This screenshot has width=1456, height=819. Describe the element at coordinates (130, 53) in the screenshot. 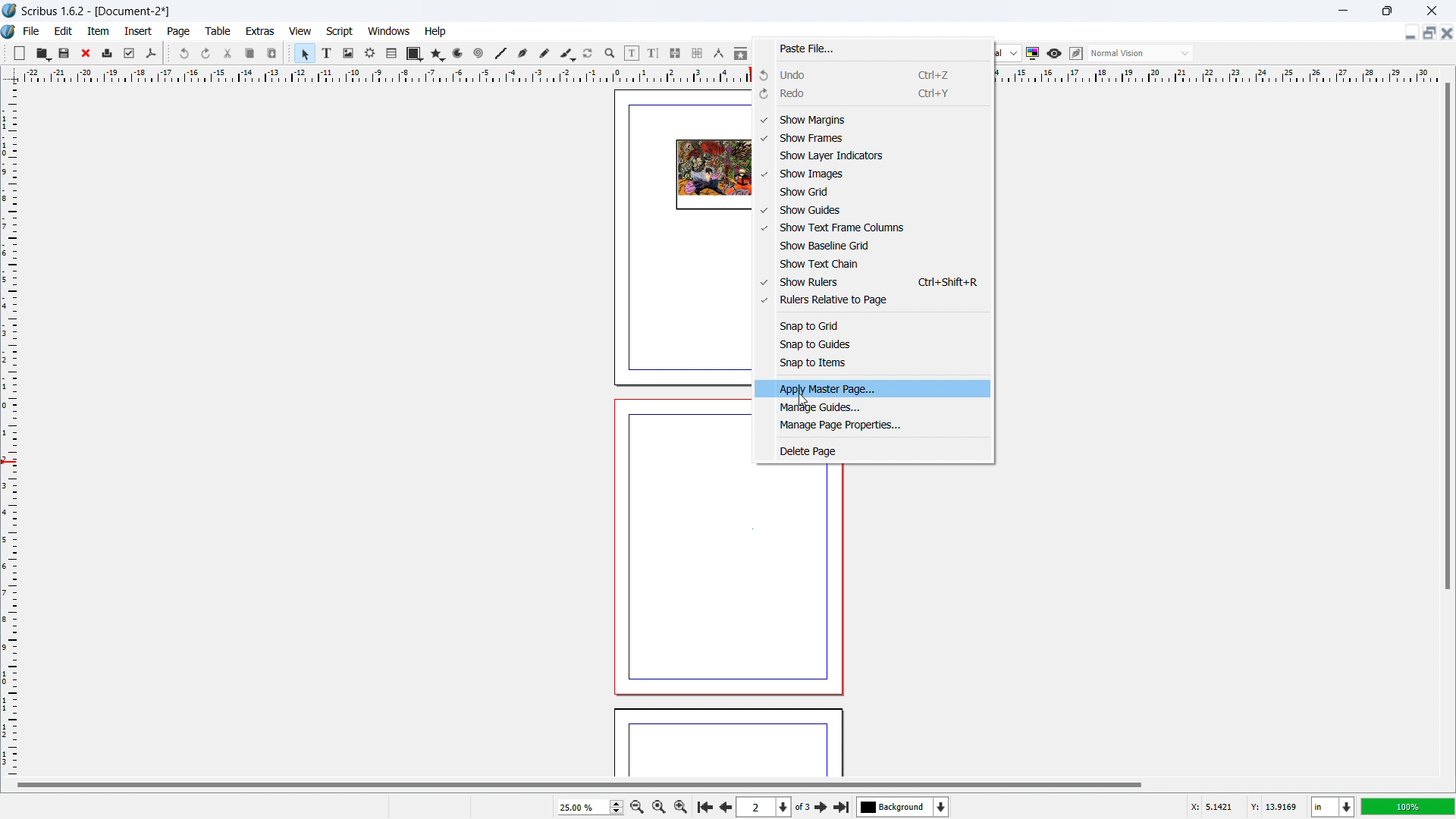

I see `preflight checkbox` at that location.